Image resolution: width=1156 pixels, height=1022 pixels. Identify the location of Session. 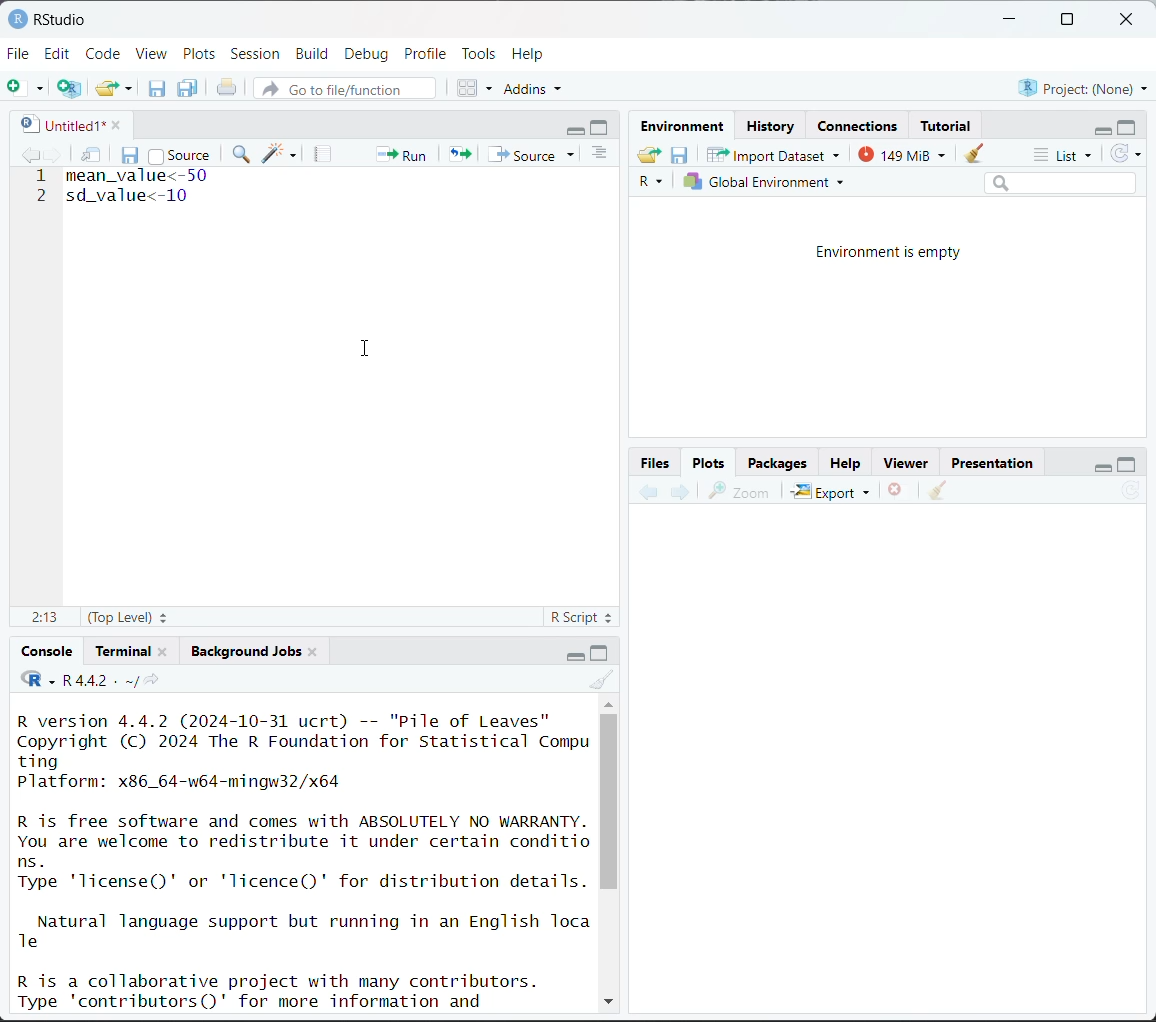
(256, 55).